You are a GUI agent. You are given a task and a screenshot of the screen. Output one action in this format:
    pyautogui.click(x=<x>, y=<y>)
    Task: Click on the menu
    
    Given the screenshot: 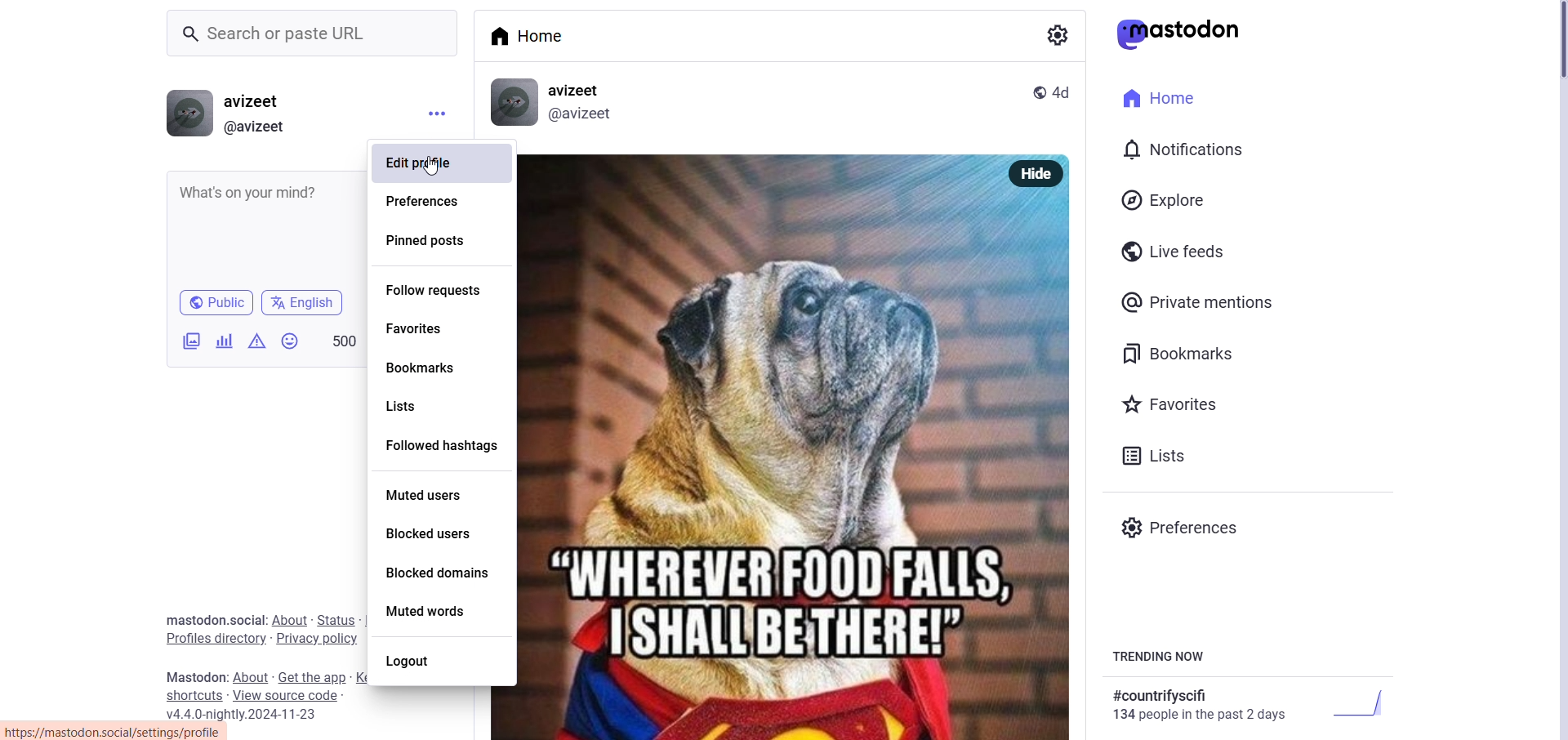 What is the action you would take?
    pyautogui.click(x=432, y=117)
    